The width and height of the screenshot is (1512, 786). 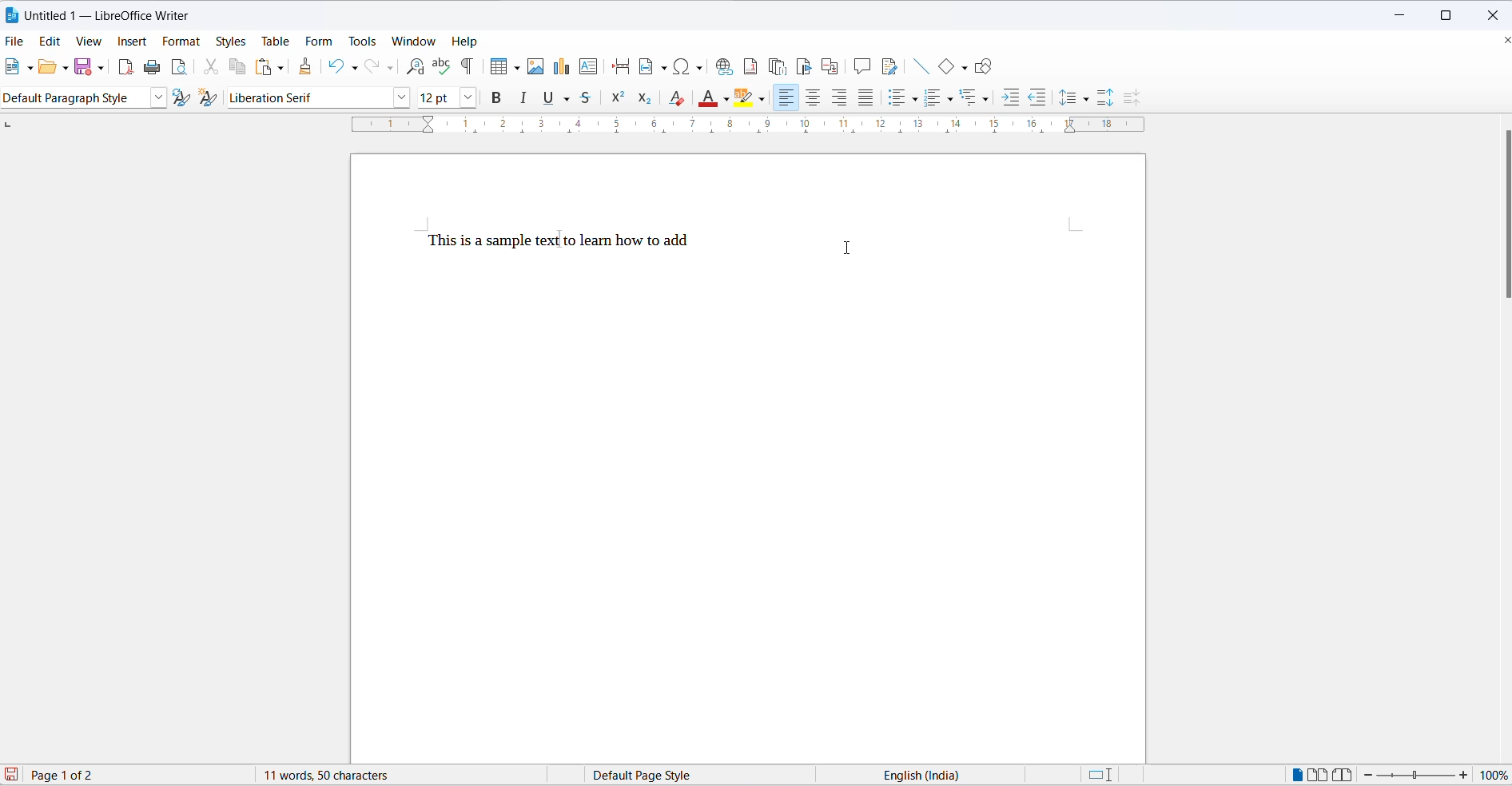 What do you see at coordinates (841, 97) in the screenshot?
I see `text align left` at bounding box center [841, 97].